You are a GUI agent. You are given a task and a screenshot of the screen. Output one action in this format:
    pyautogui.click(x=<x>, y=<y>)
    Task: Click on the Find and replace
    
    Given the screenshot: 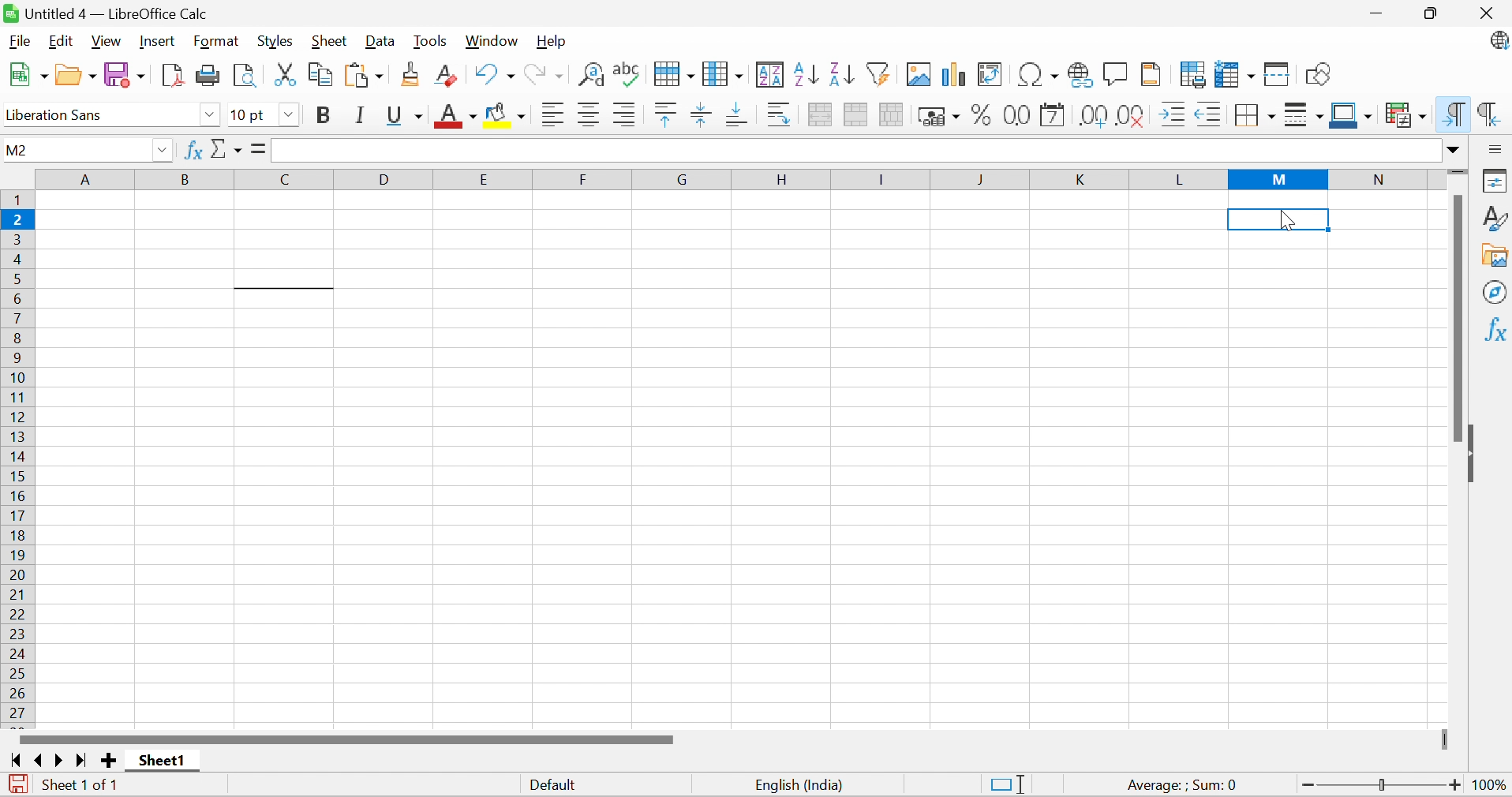 What is the action you would take?
    pyautogui.click(x=593, y=76)
    